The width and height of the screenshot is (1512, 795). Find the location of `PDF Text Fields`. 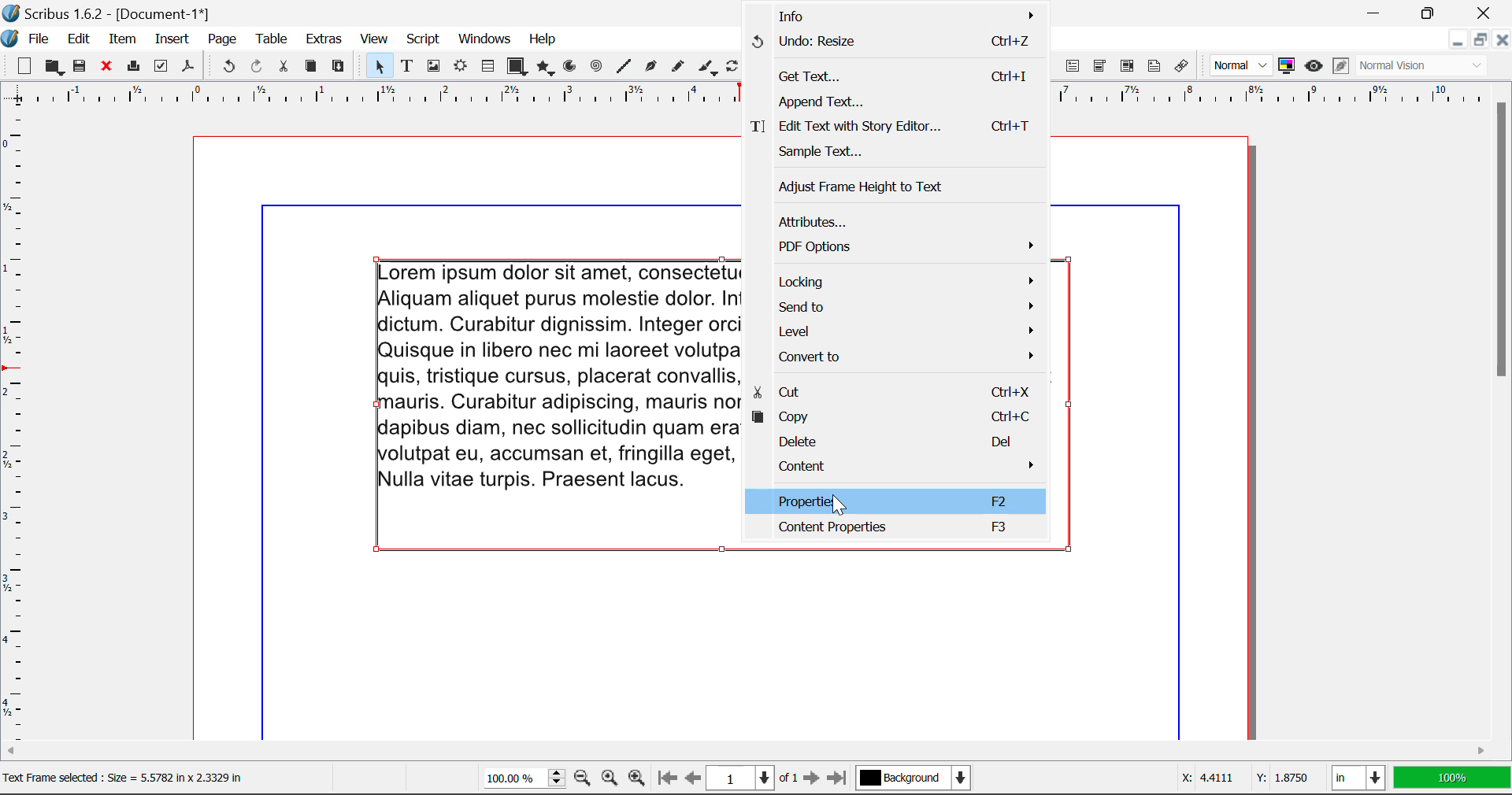

PDF Text Fields is located at coordinates (1073, 66).